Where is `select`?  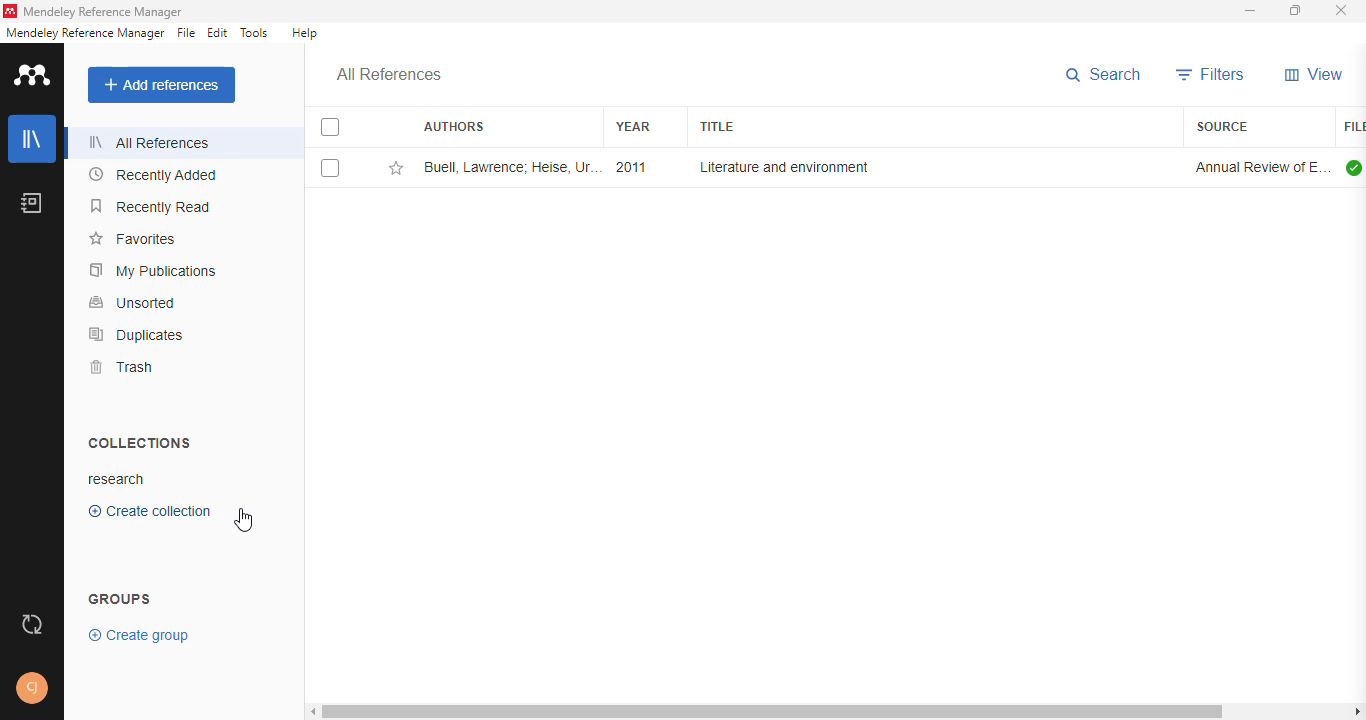
select is located at coordinates (332, 169).